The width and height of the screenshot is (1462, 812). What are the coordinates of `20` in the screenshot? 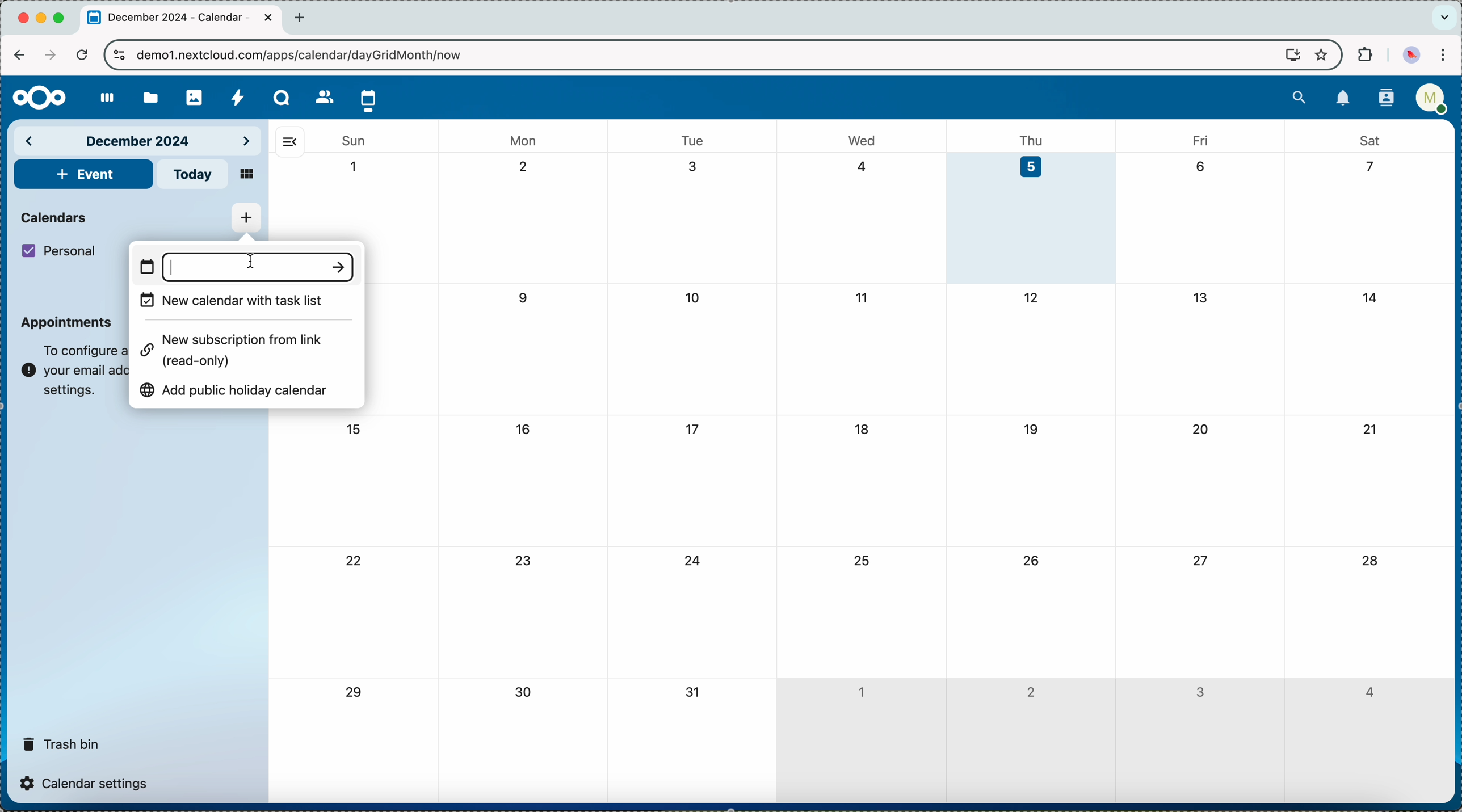 It's located at (1201, 429).